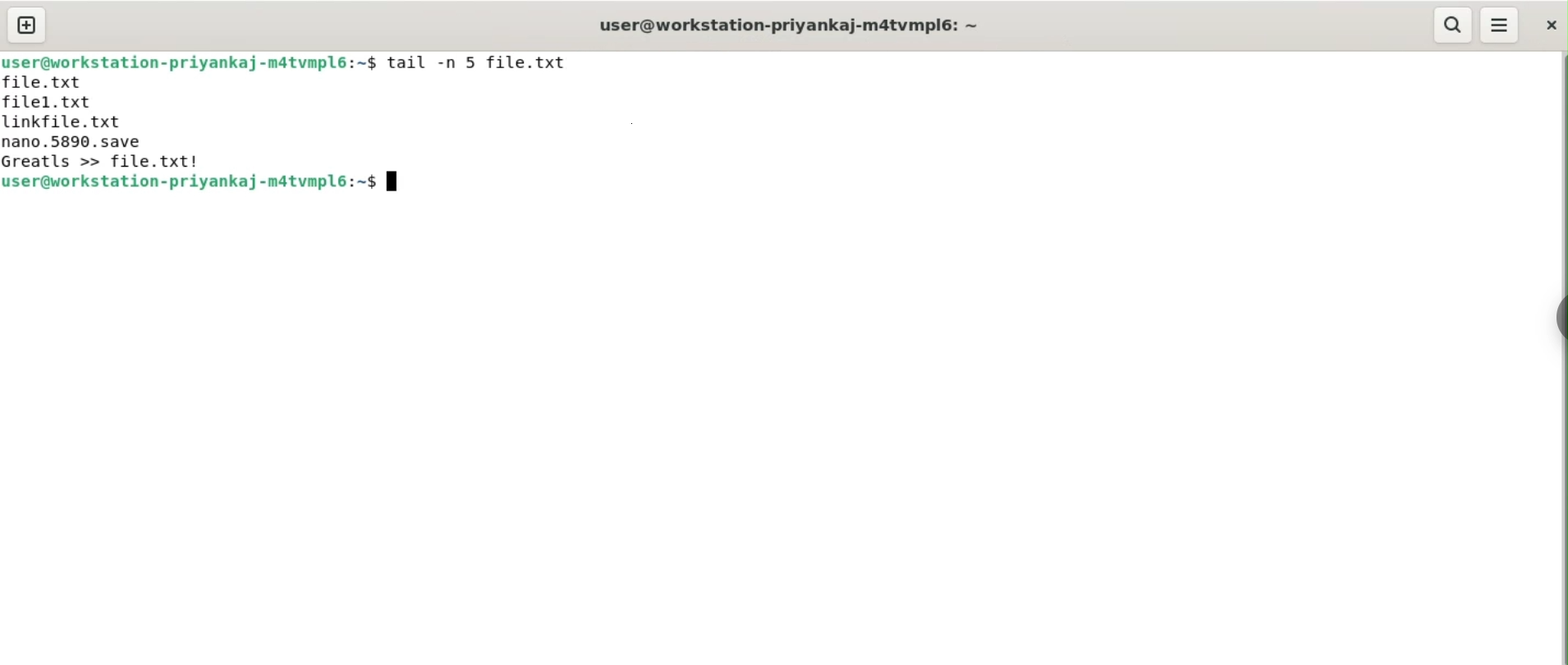 The image size is (1568, 665). What do you see at coordinates (396, 183) in the screenshot?
I see `cursor` at bounding box center [396, 183].